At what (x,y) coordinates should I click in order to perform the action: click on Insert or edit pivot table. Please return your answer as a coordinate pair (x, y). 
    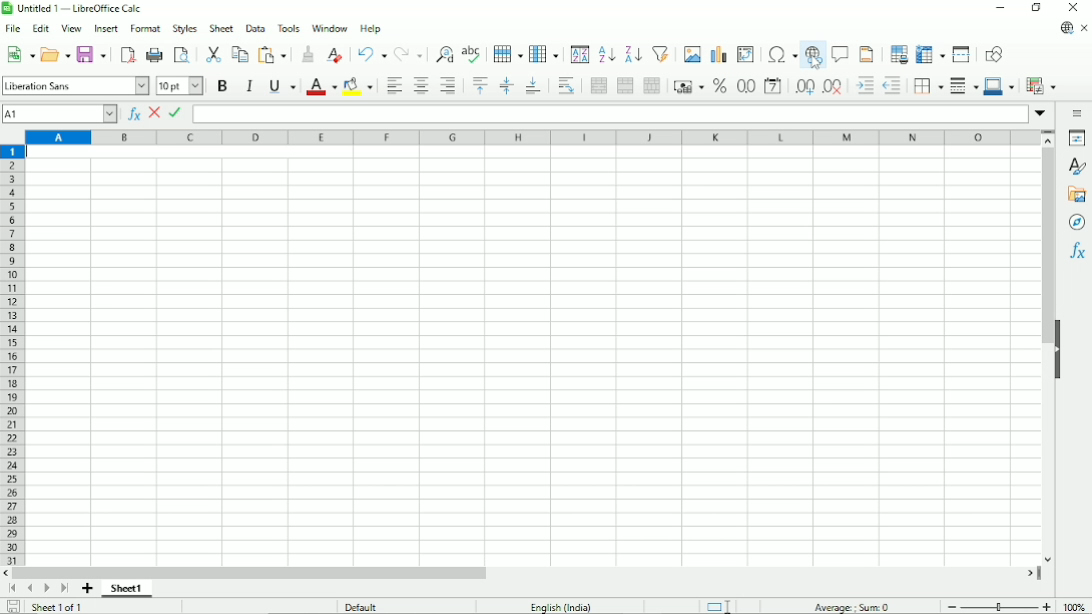
    Looking at the image, I should click on (745, 53).